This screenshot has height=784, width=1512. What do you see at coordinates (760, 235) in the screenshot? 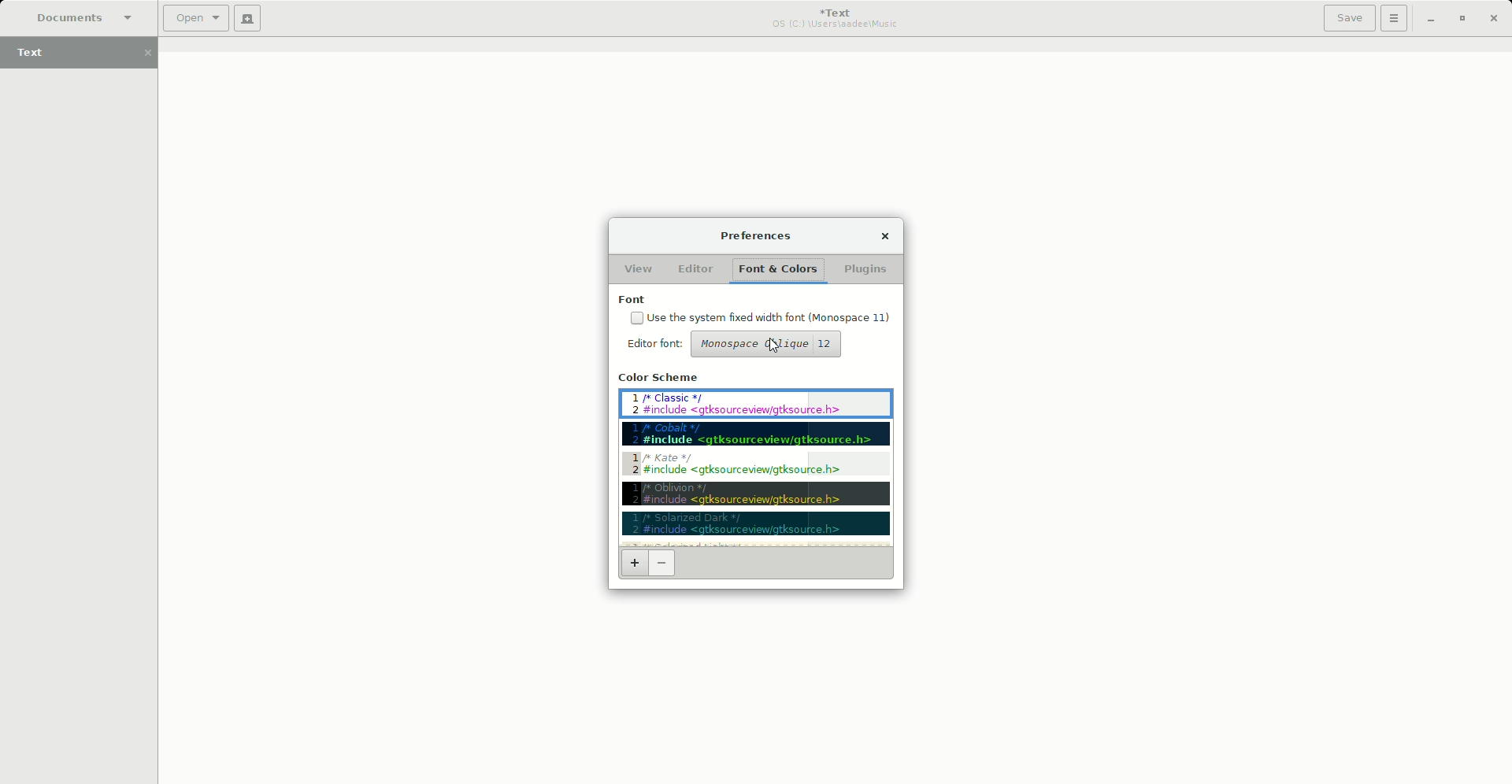
I see `Preferences` at bounding box center [760, 235].